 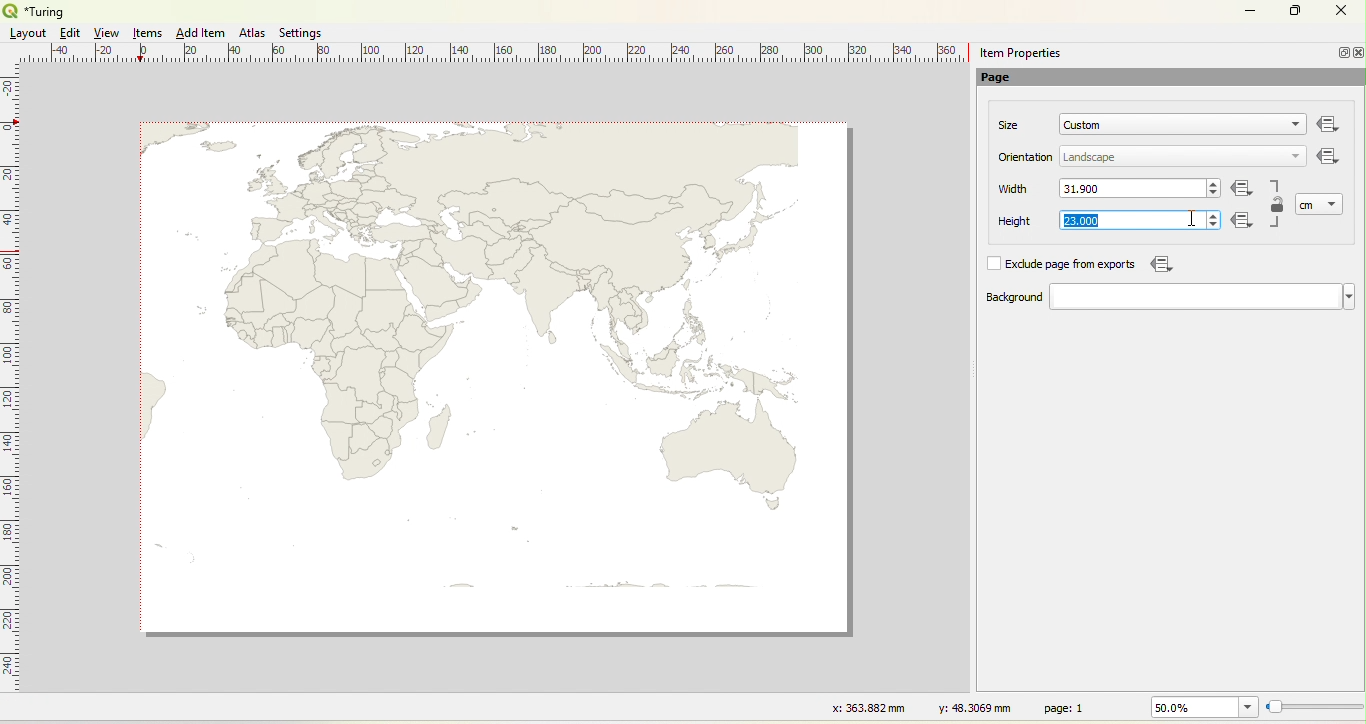 I want to click on Resize, so click(x=1315, y=708).